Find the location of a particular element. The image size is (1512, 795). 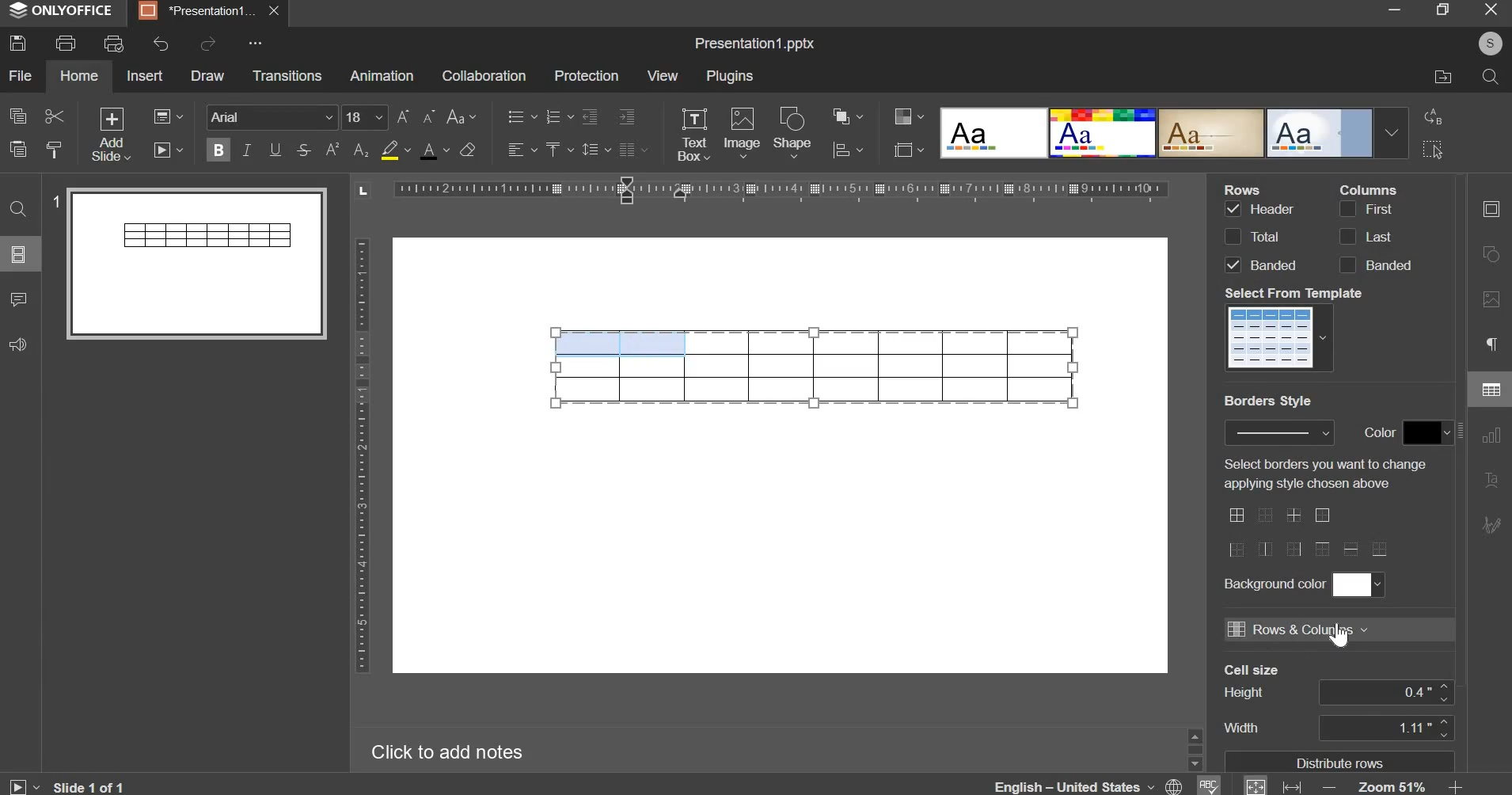

text box is located at coordinates (693, 135).